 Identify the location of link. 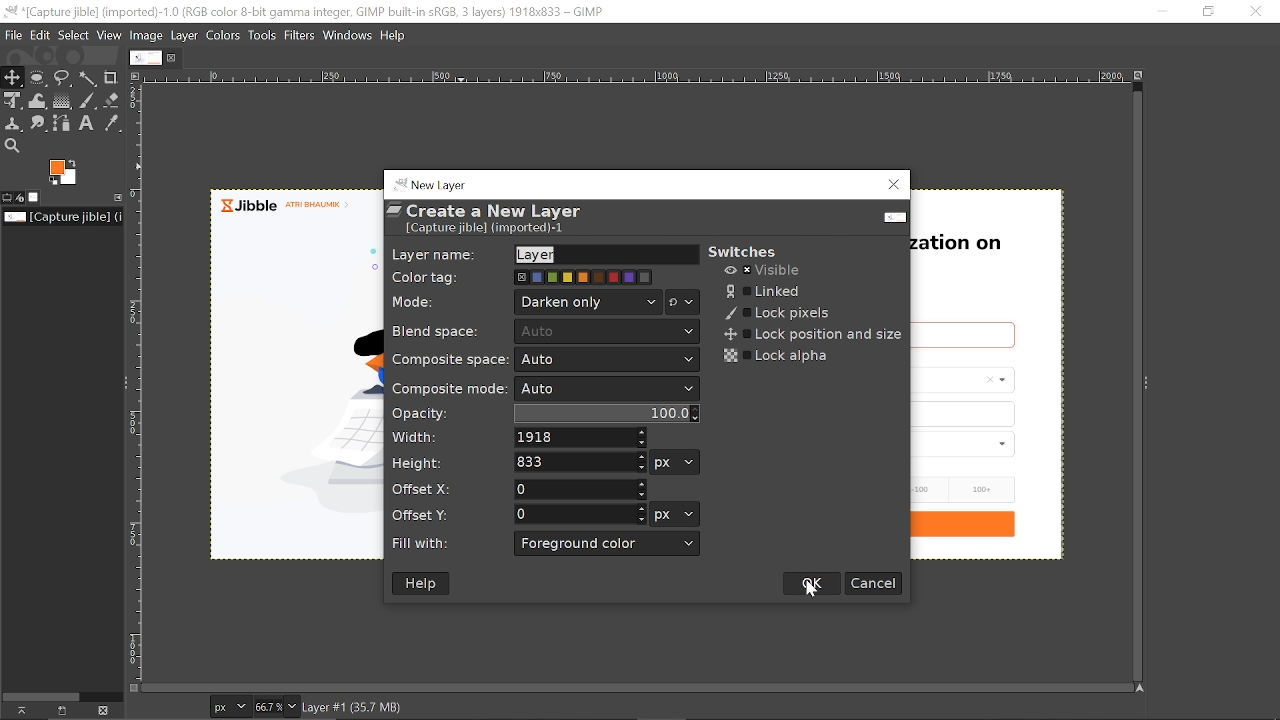
(60, 711).